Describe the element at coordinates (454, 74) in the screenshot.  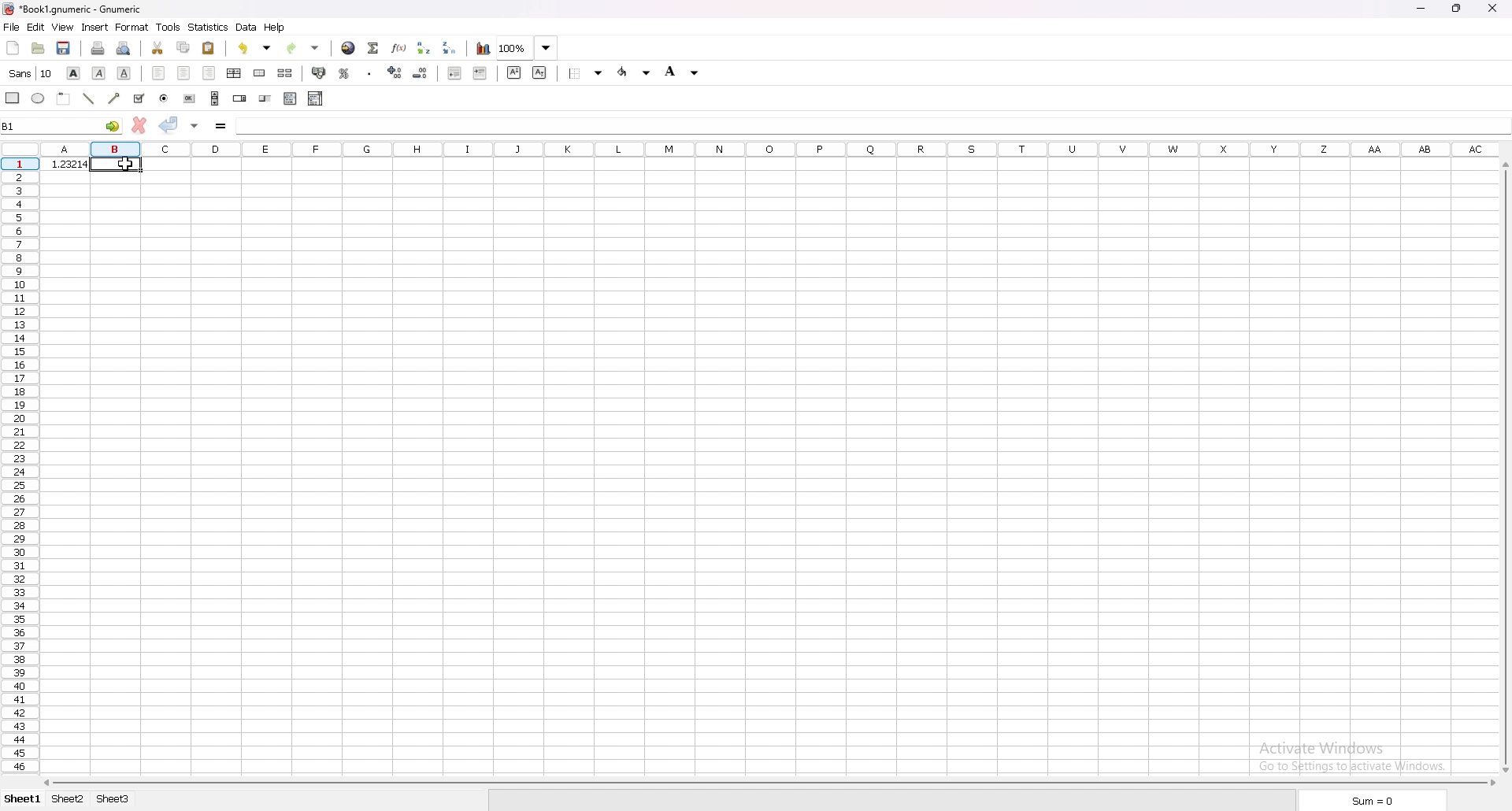
I see `decrease indent` at that location.